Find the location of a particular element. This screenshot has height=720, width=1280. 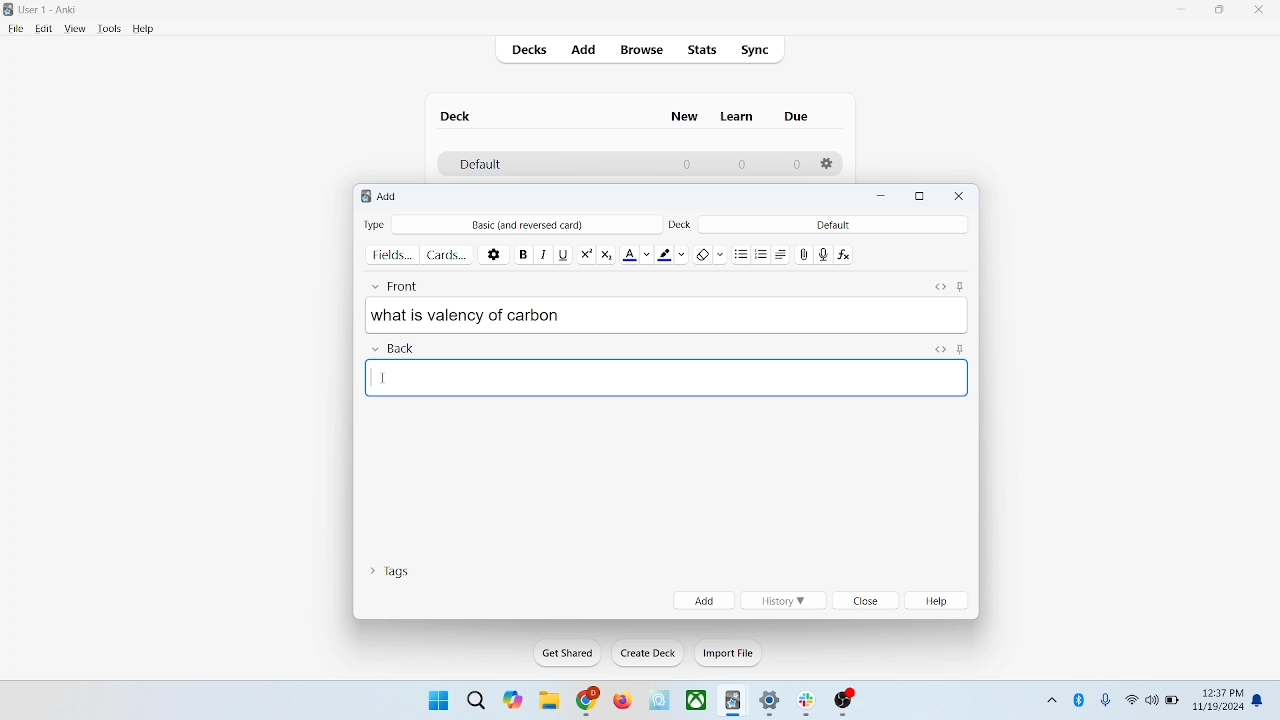

HTML editor is located at coordinates (939, 348).